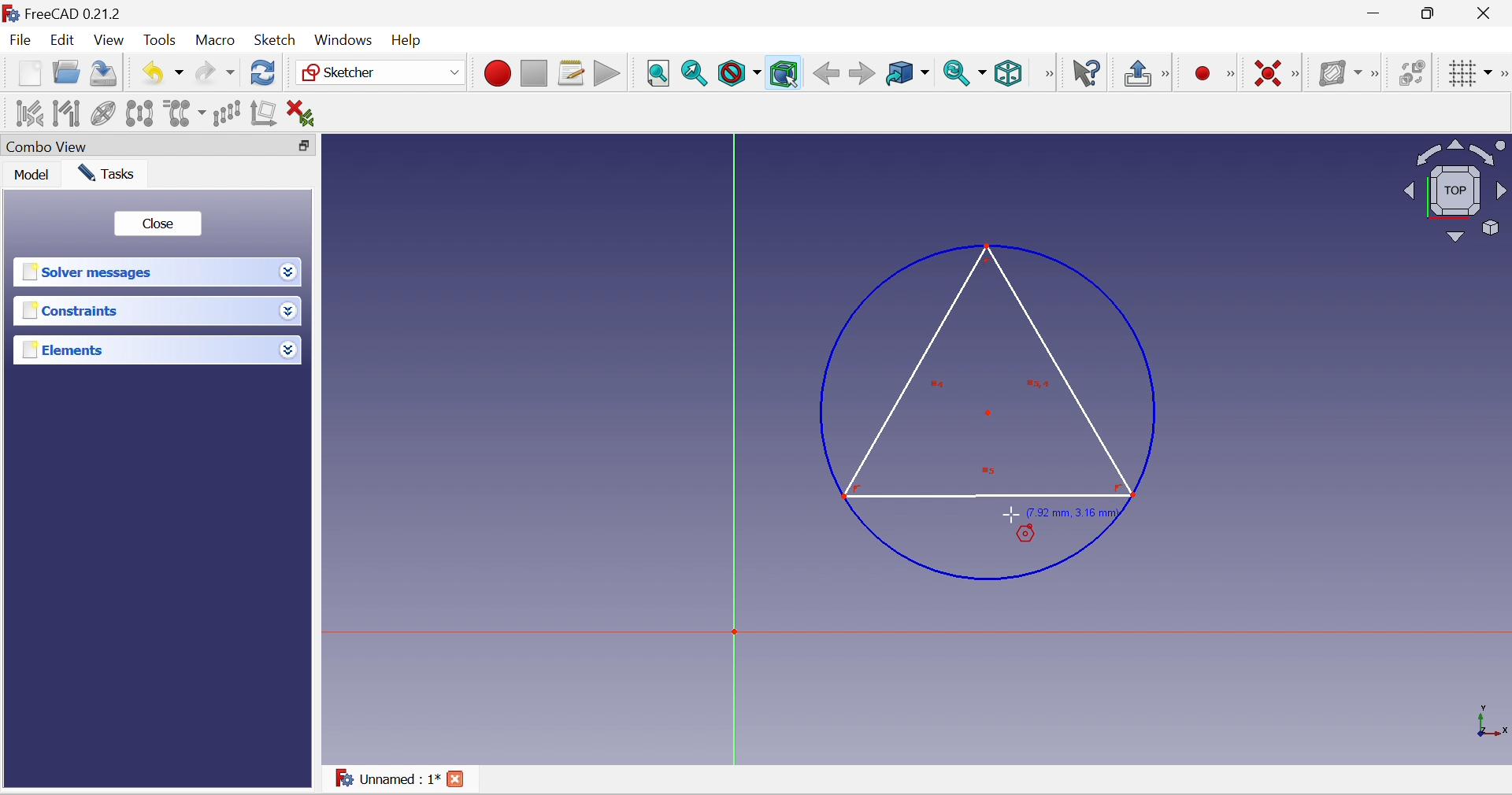  I want to click on (7.92 mm, 3.16 mm), so click(1074, 514).